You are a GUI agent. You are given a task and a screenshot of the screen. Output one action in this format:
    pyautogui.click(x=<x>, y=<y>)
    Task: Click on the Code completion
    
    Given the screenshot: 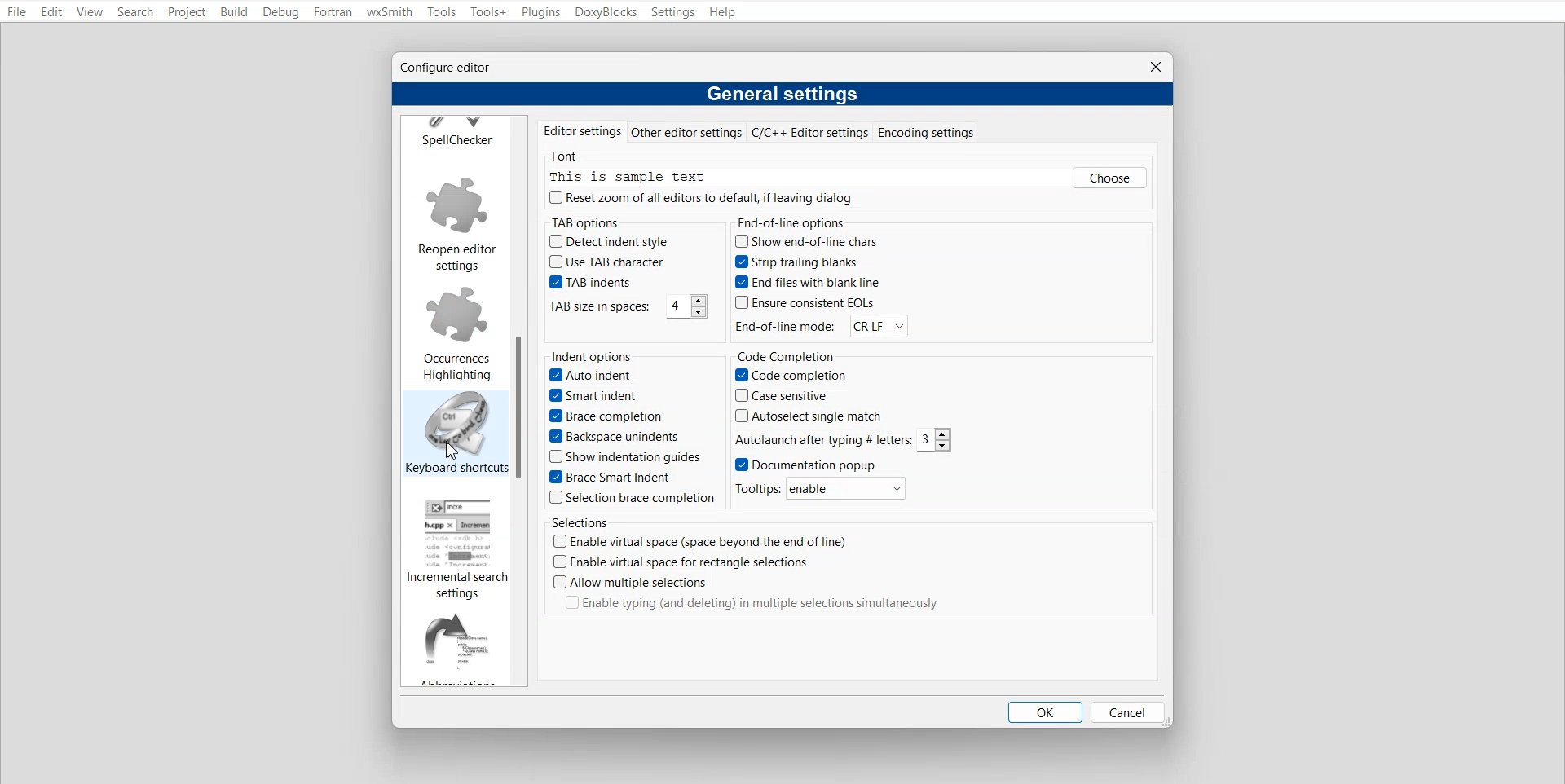 What is the action you would take?
    pyautogui.click(x=791, y=376)
    